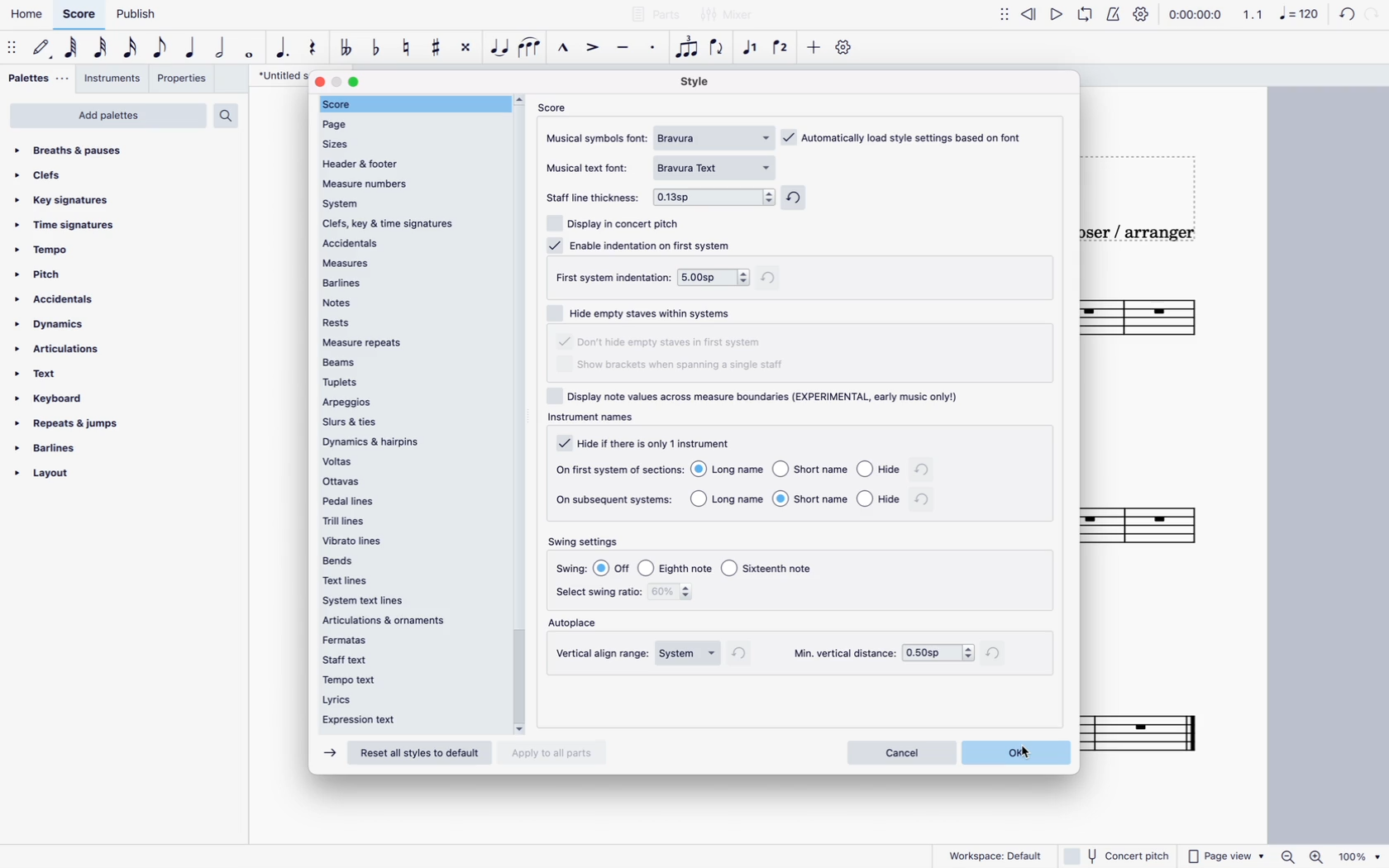 Image resolution: width=1389 pixels, height=868 pixels. I want to click on dynamics, so click(53, 326).